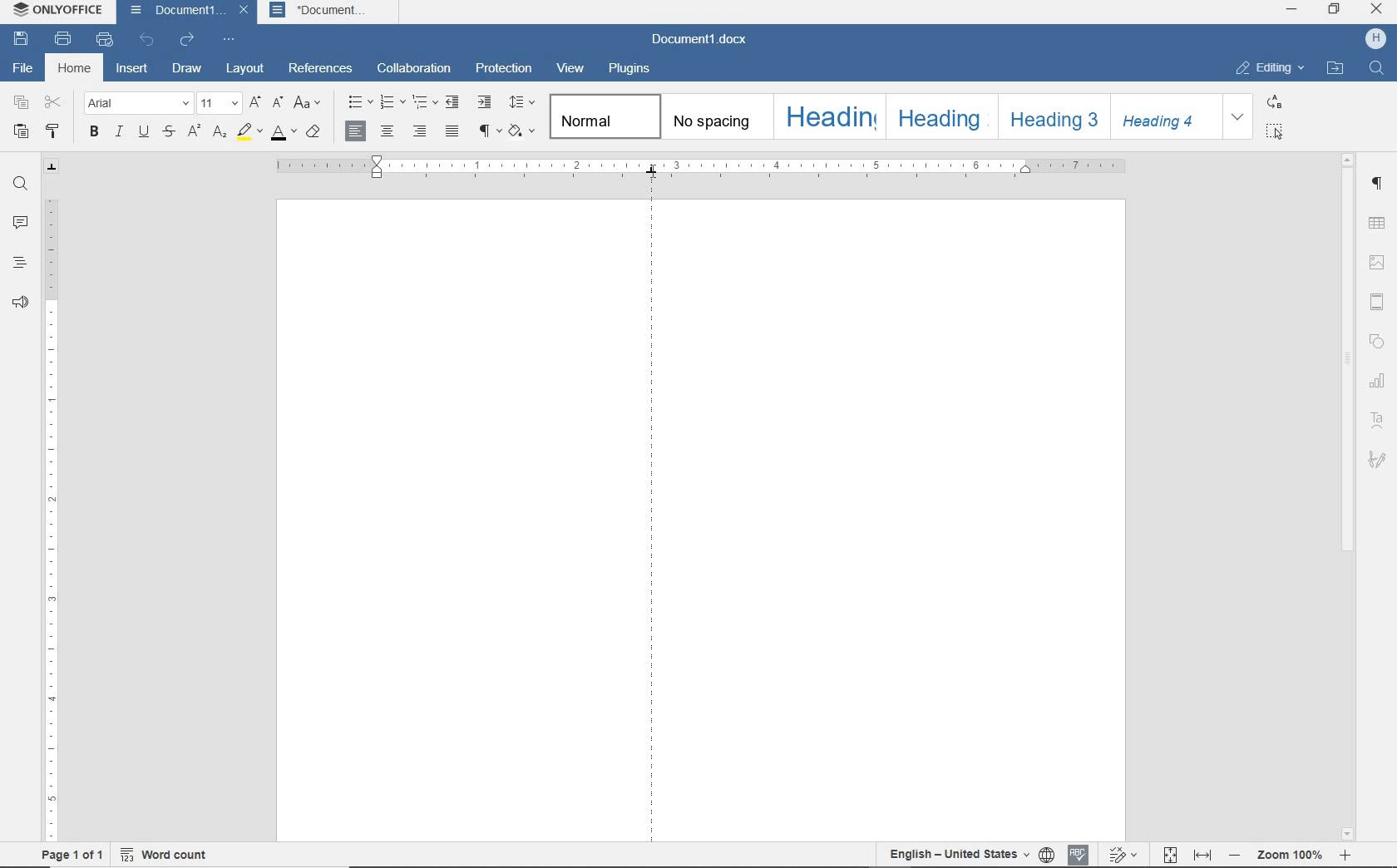  I want to click on PASTE, so click(22, 133).